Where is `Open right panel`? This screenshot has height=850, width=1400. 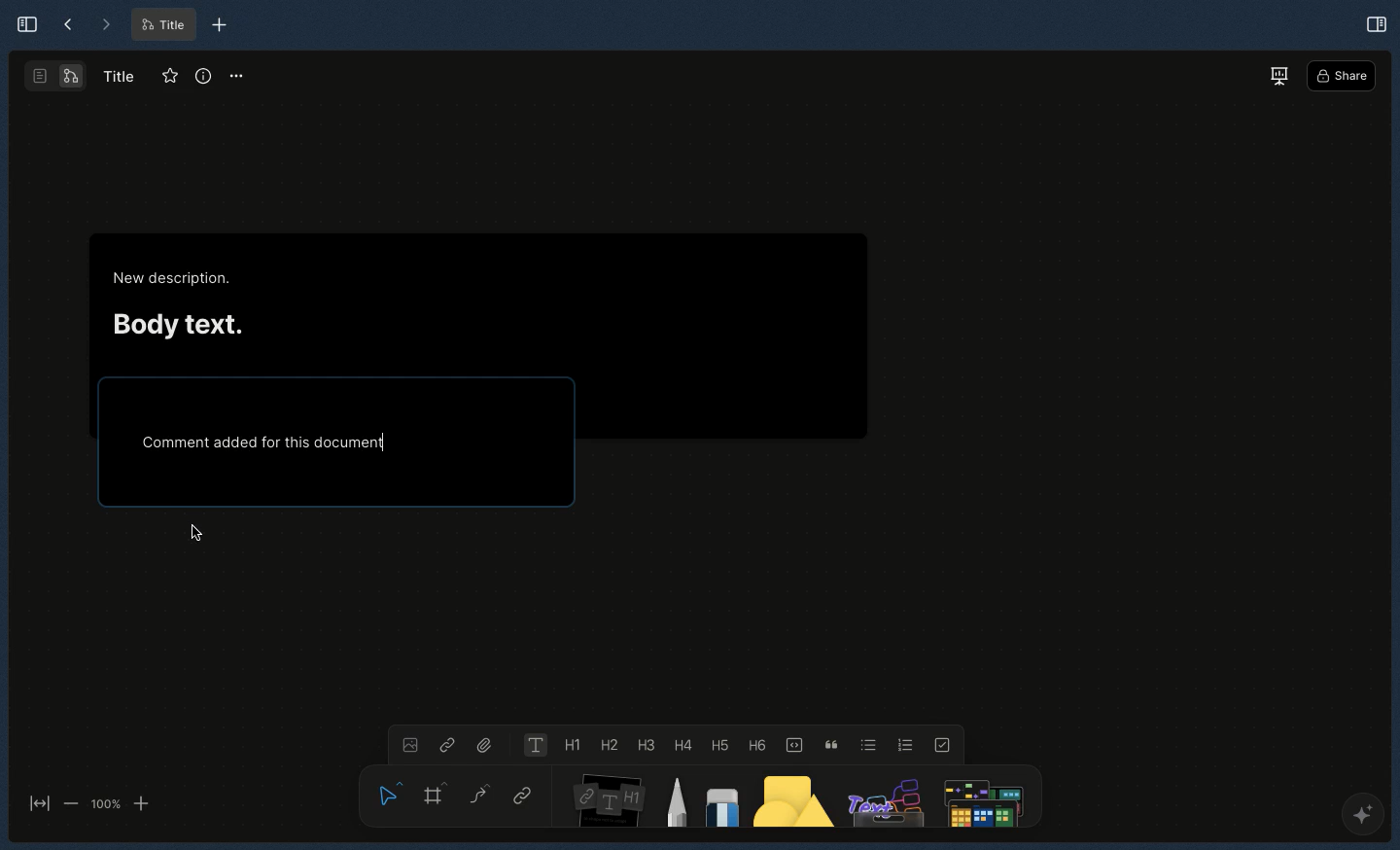 Open right panel is located at coordinates (1376, 22).